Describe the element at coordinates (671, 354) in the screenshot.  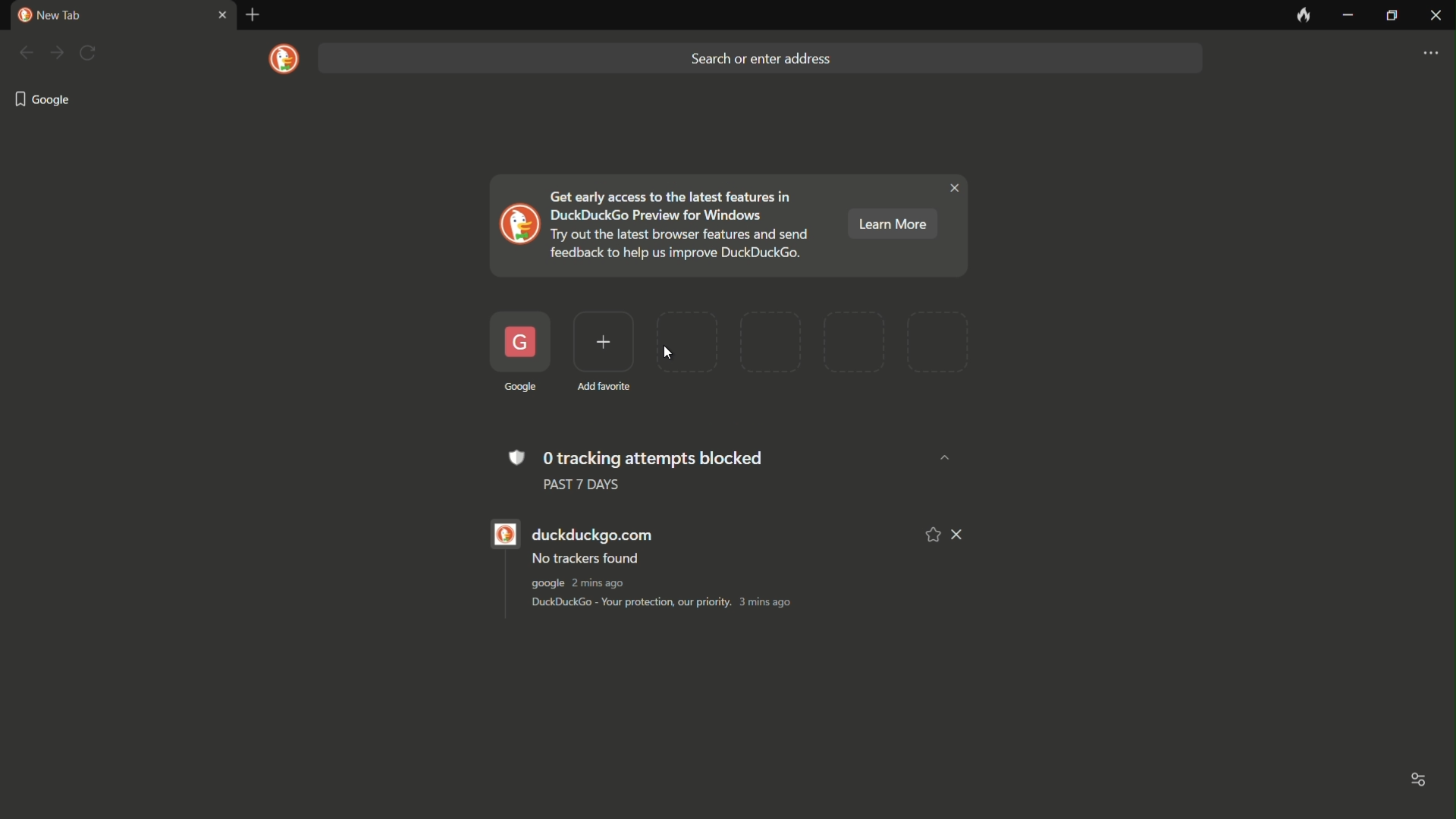
I see `cursor` at that location.